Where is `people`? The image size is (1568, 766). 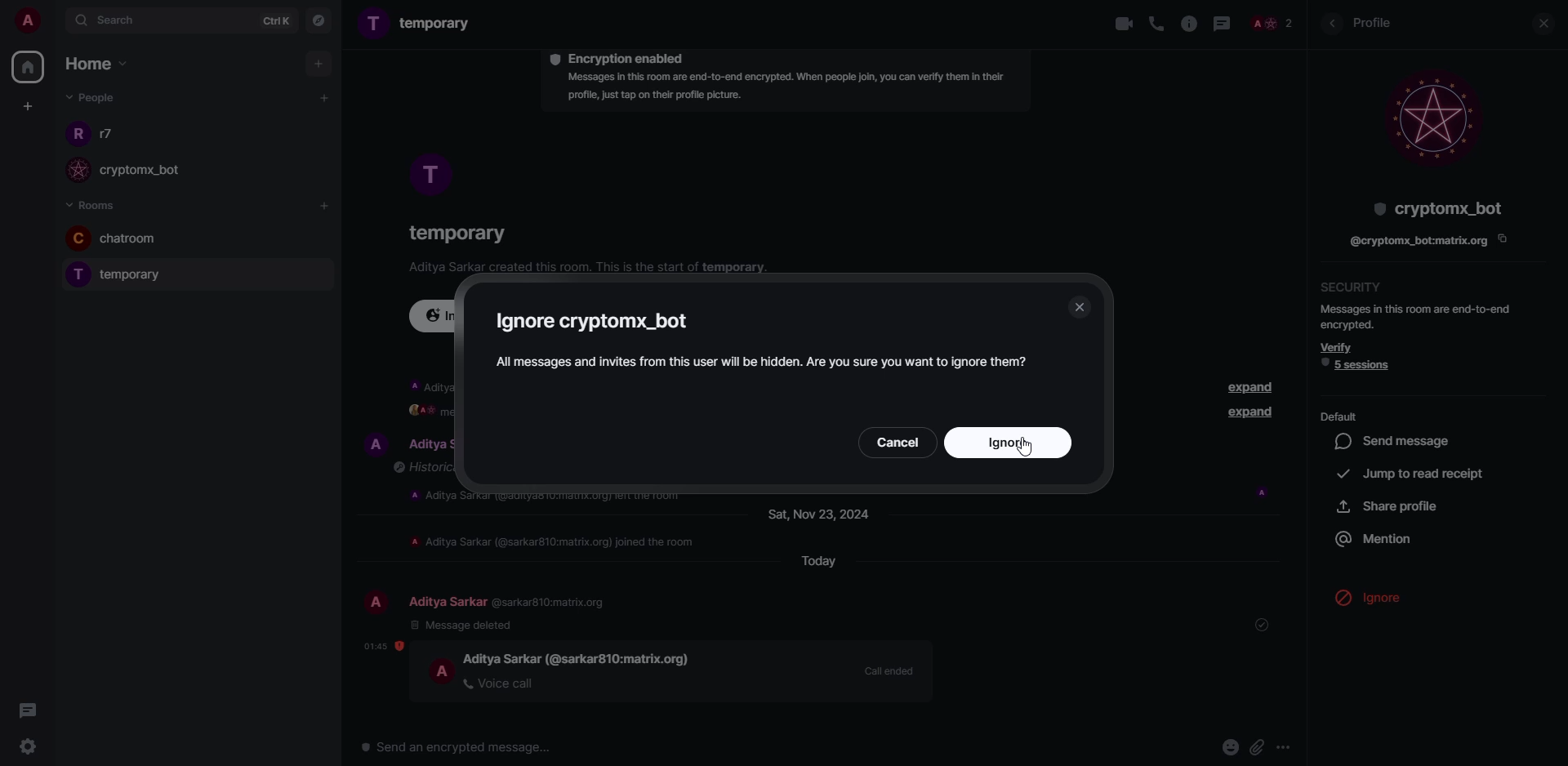 people is located at coordinates (154, 175).